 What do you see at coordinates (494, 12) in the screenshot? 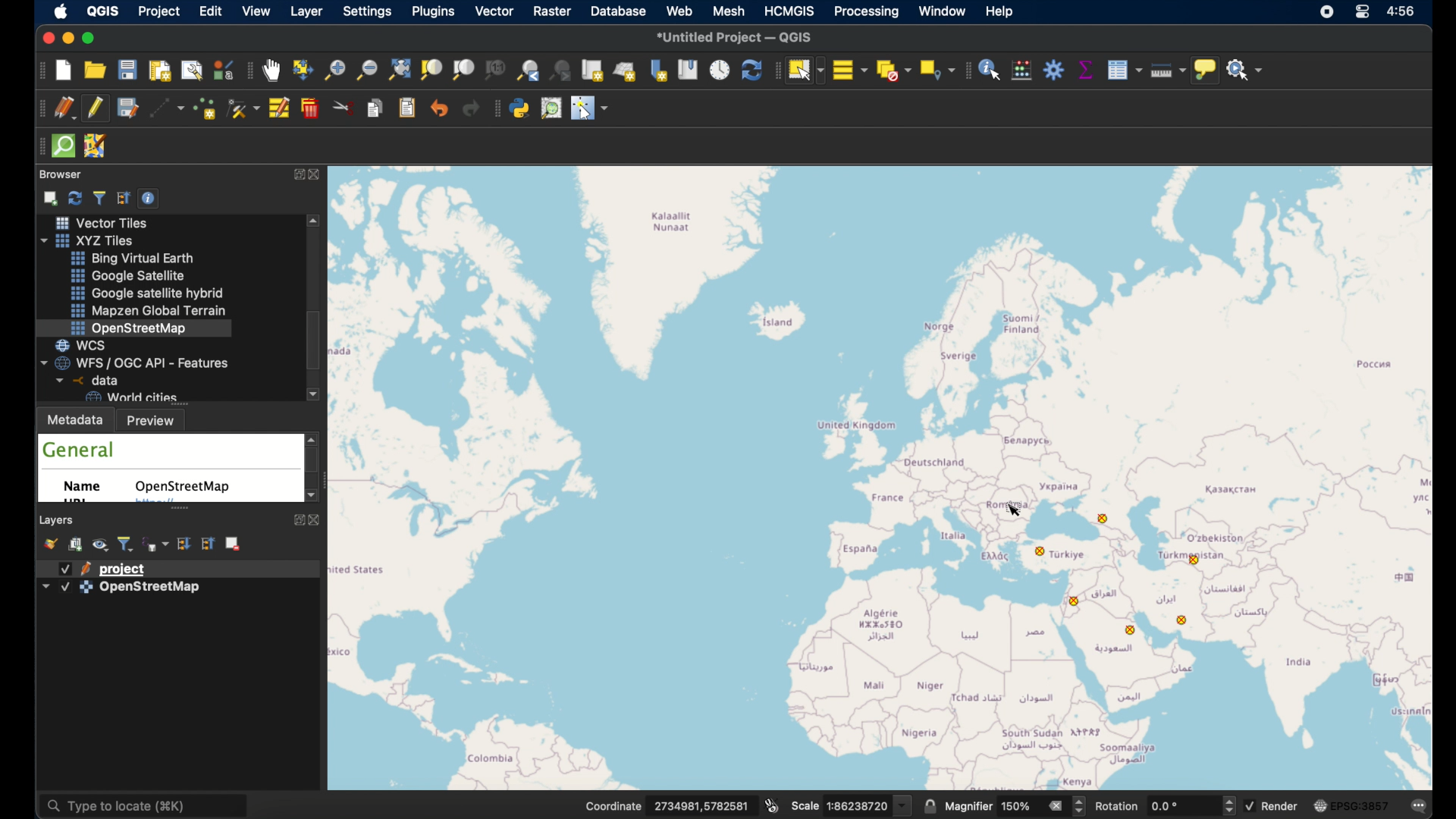
I see `vector` at bounding box center [494, 12].